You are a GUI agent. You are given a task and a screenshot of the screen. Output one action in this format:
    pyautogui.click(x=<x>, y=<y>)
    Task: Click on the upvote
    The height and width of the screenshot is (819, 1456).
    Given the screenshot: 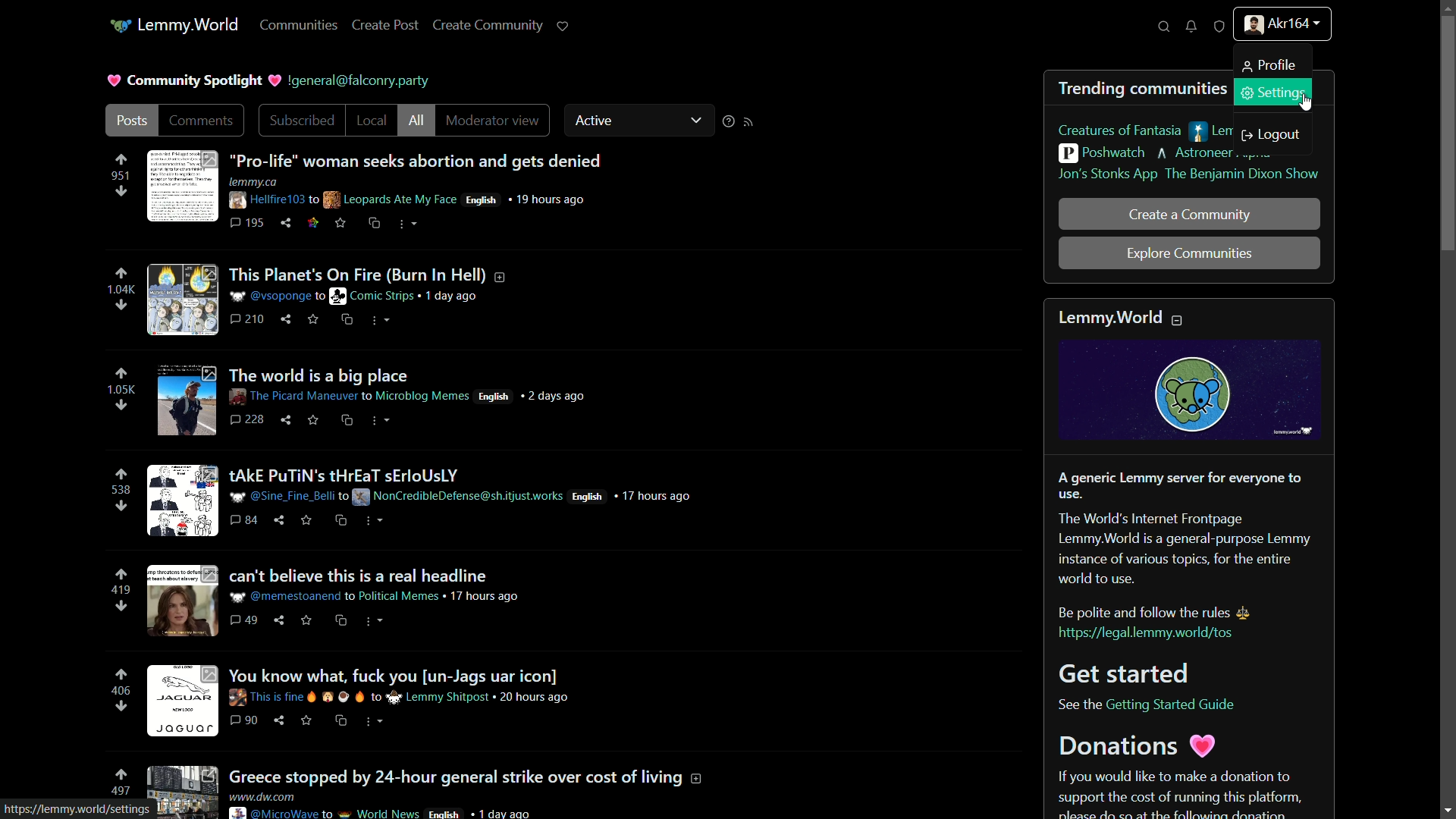 What is the action you would take?
    pyautogui.click(x=121, y=776)
    